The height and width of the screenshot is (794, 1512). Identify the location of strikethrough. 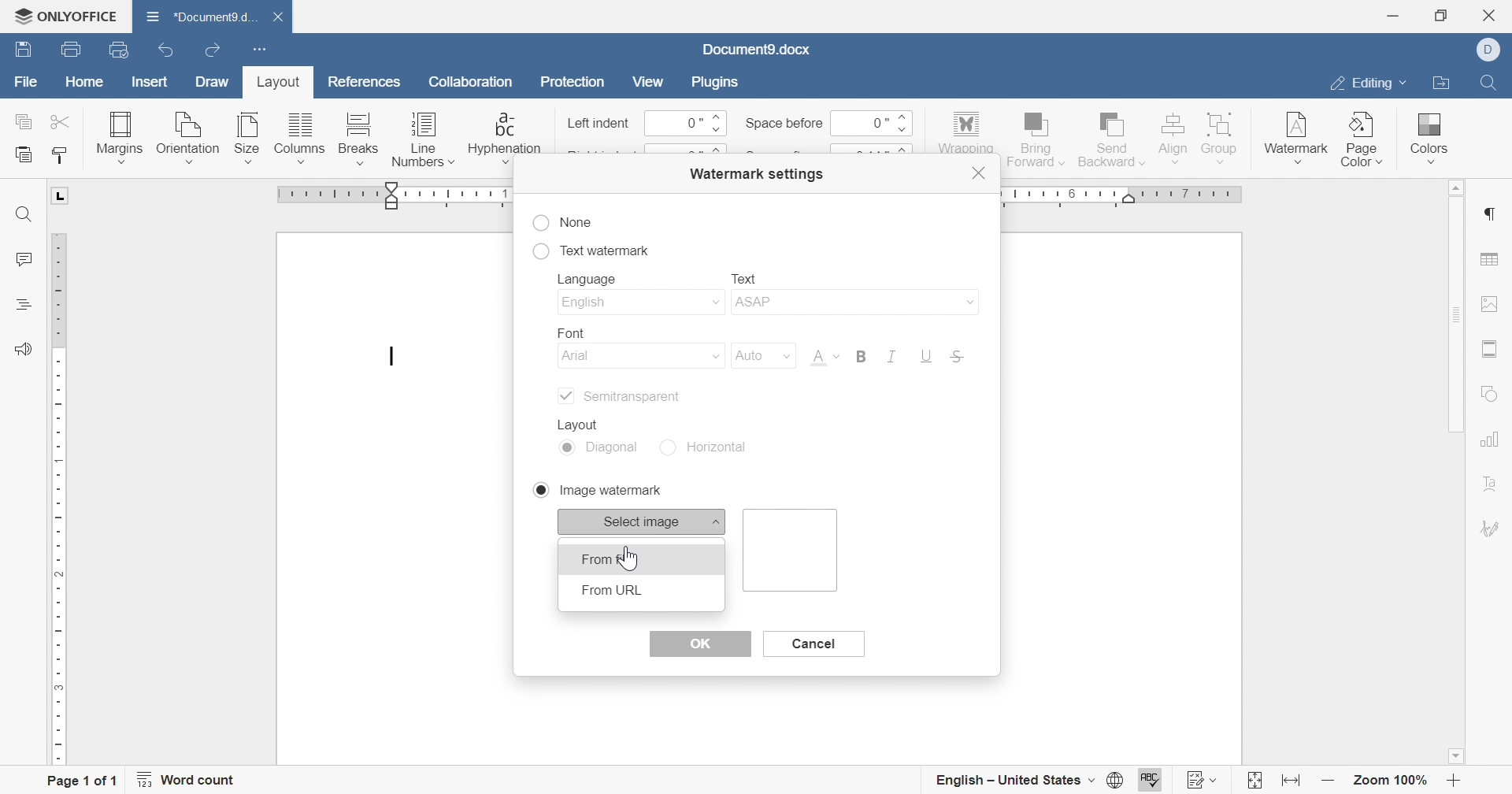
(958, 358).